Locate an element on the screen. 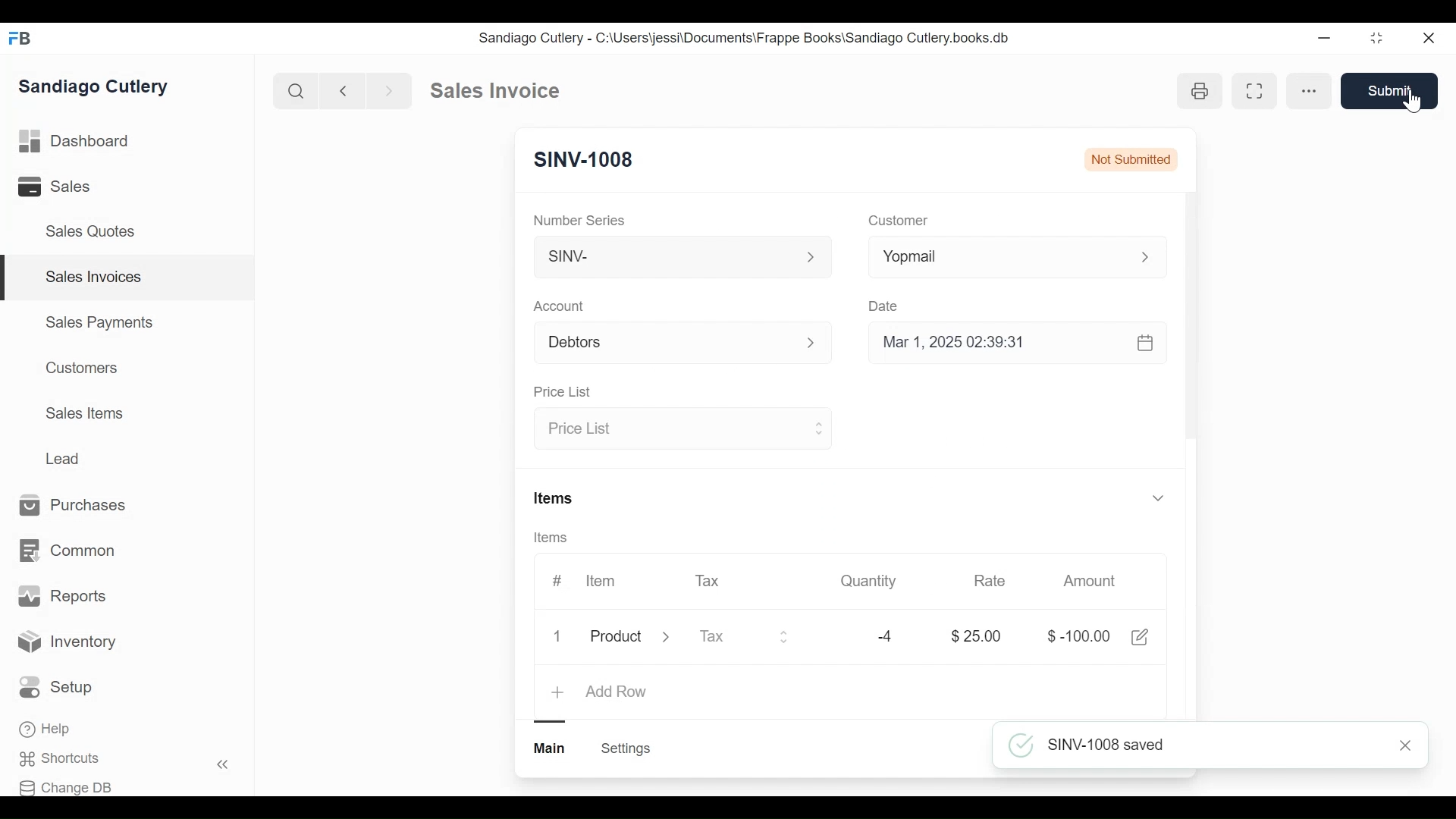 This screenshot has height=819, width=1456. $-100.00 is located at coordinates (1079, 636).